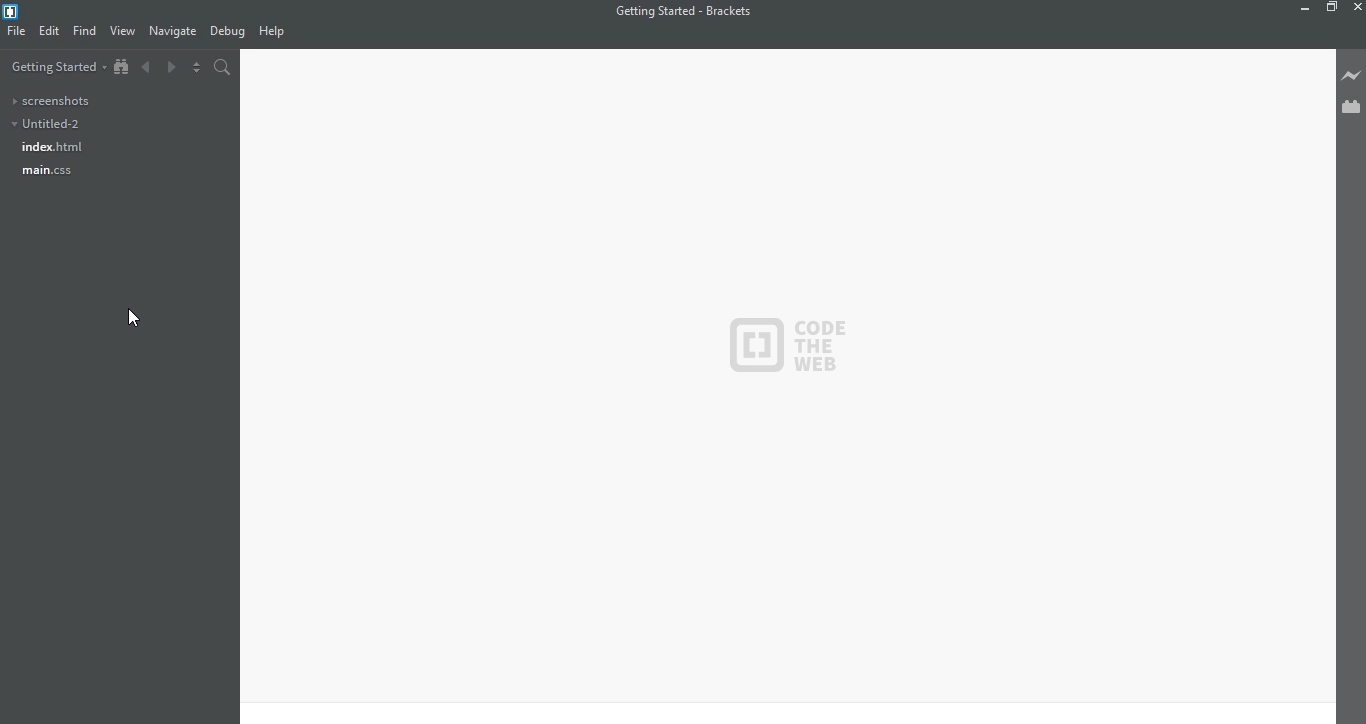 This screenshot has height=724, width=1366. Describe the element at coordinates (47, 170) in the screenshot. I see `main.css` at that location.